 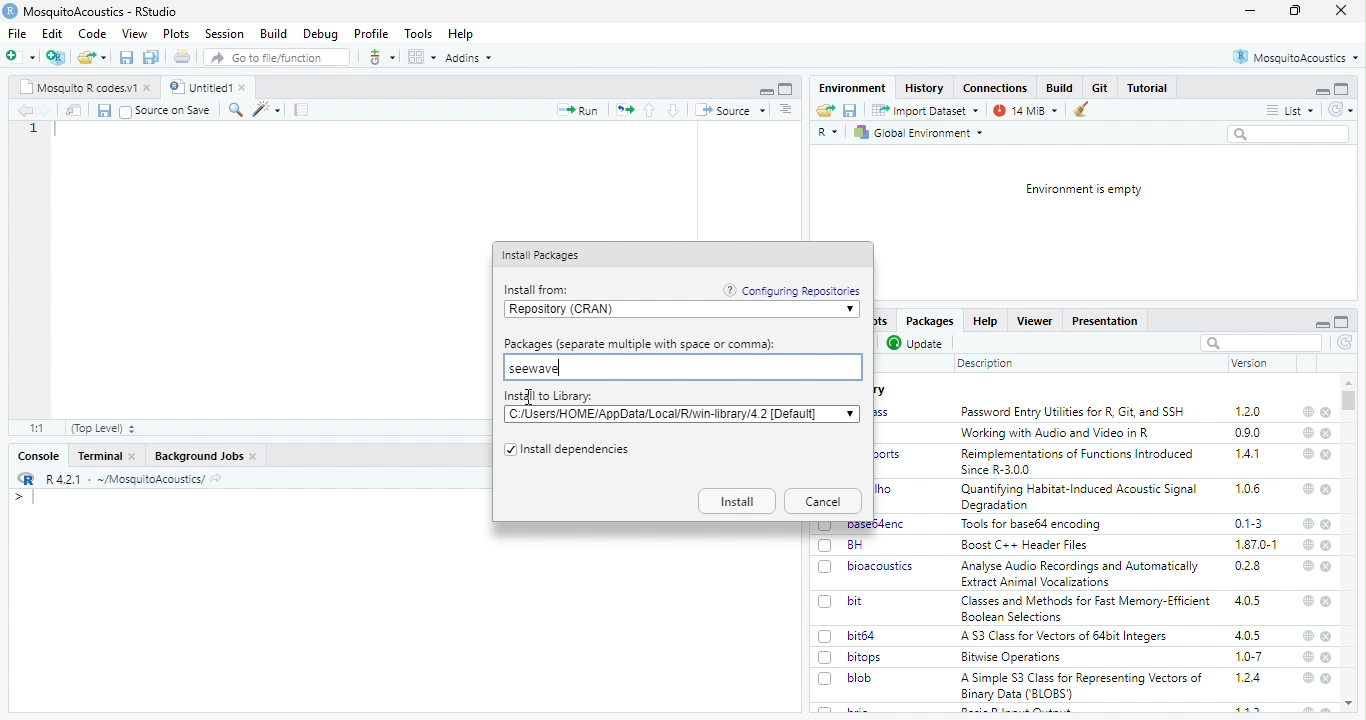 What do you see at coordinates (1251, 11) in the screenshot?
I see `minimise` at bounding box center [1251, 11].